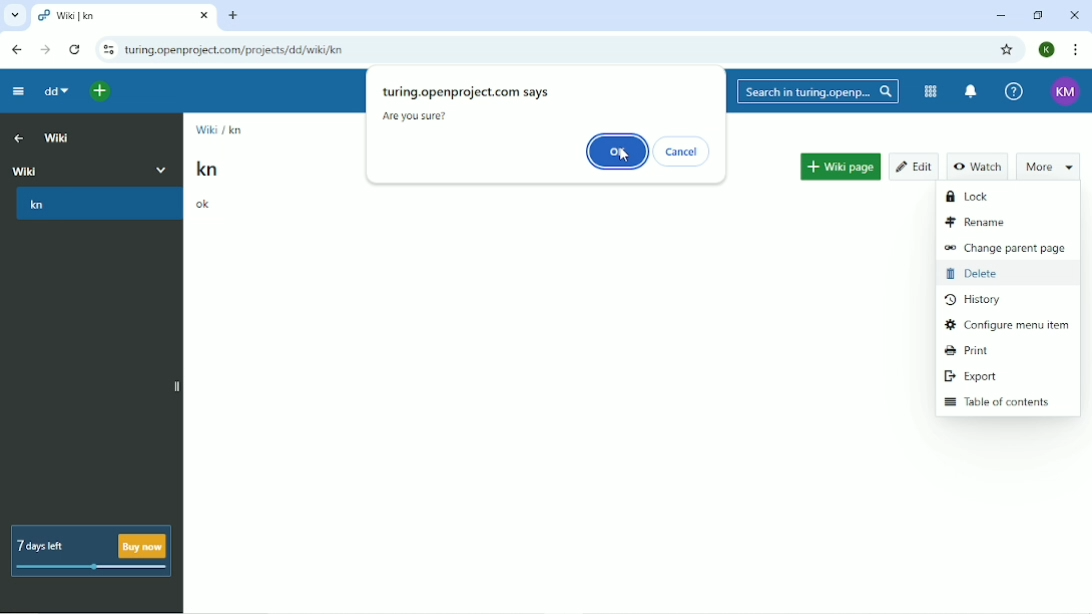 This screenshot has width=1092, height=614. What do you see at coordinates (55, 93) in the screenshot?
I see `dd` at bounding box center [55, 93].